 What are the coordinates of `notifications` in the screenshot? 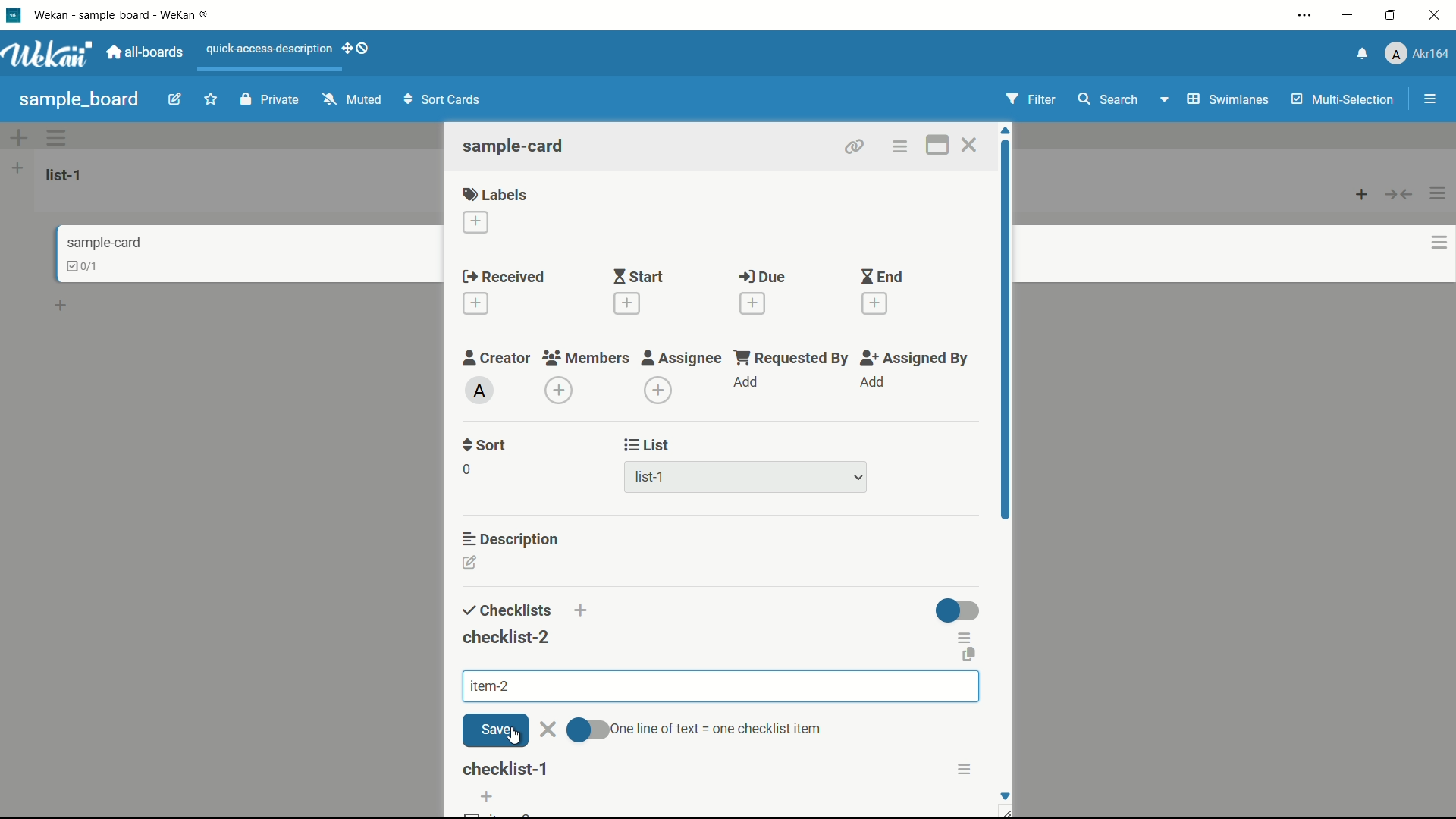 It's located at (1360, 52).